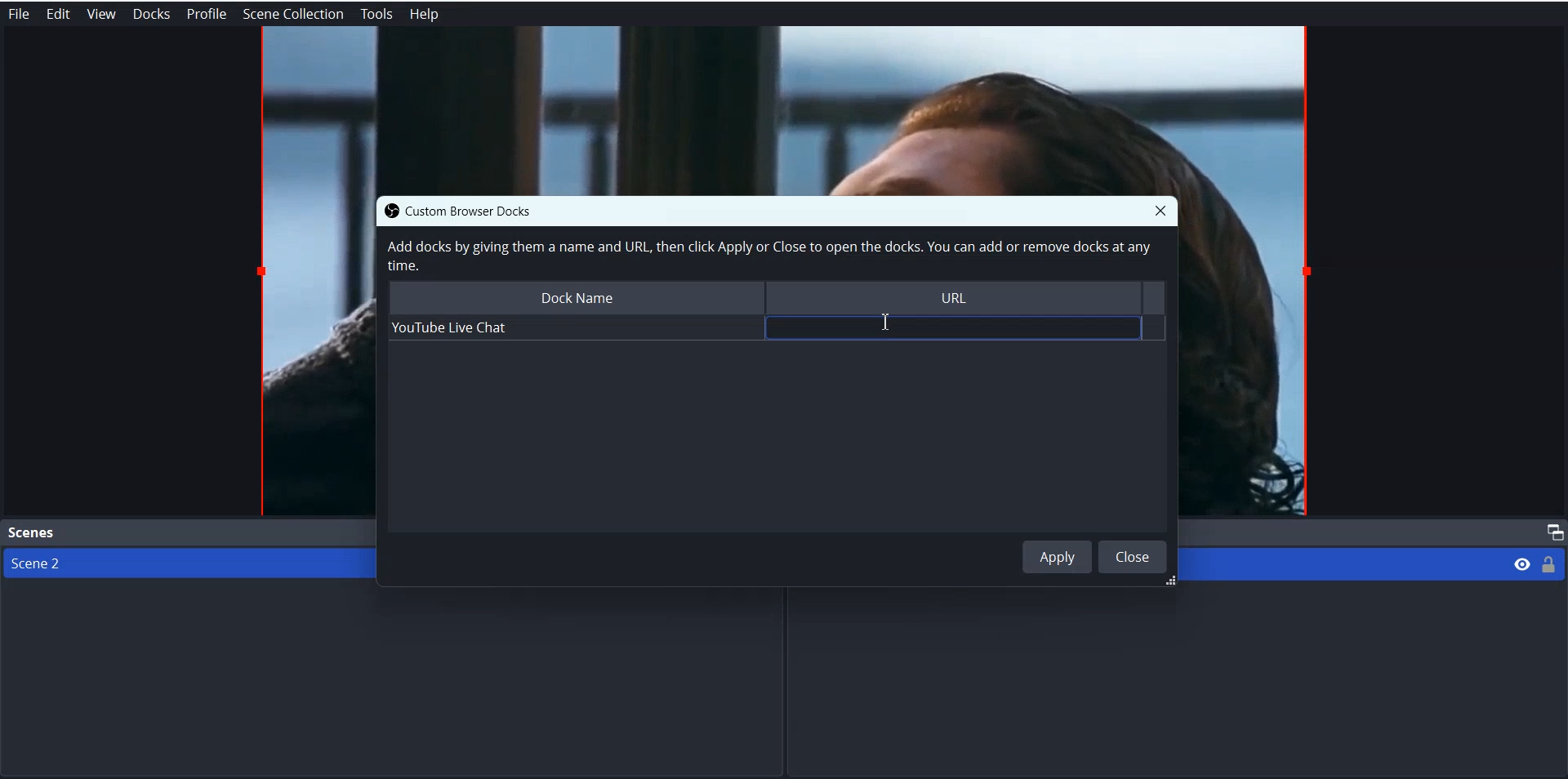 This screenshot has width=1568, height=779. I want to click on Profile, so click(207, 14).